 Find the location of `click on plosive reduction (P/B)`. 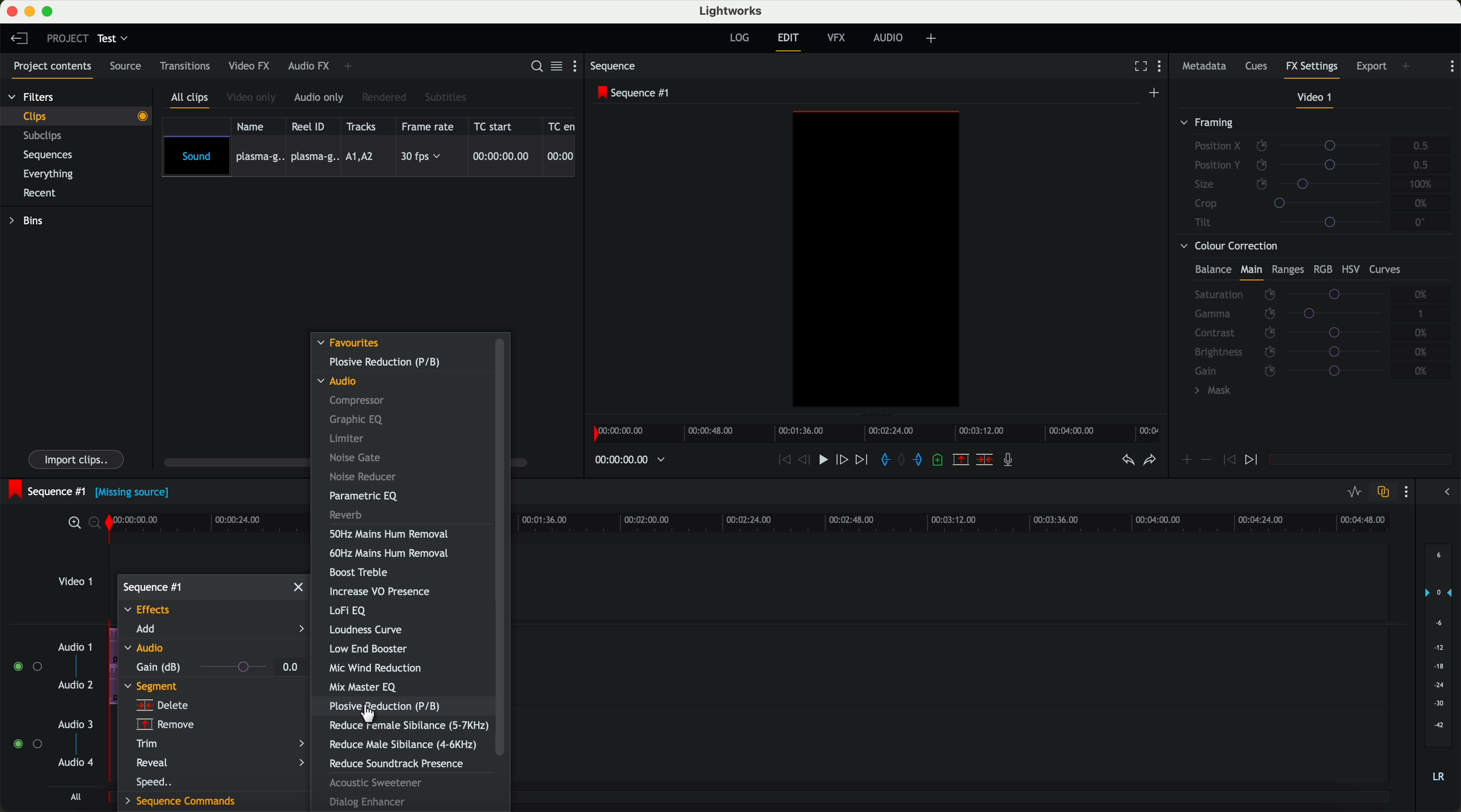

click on plosive reduction (P/B) is located at coordinates (389, 707).